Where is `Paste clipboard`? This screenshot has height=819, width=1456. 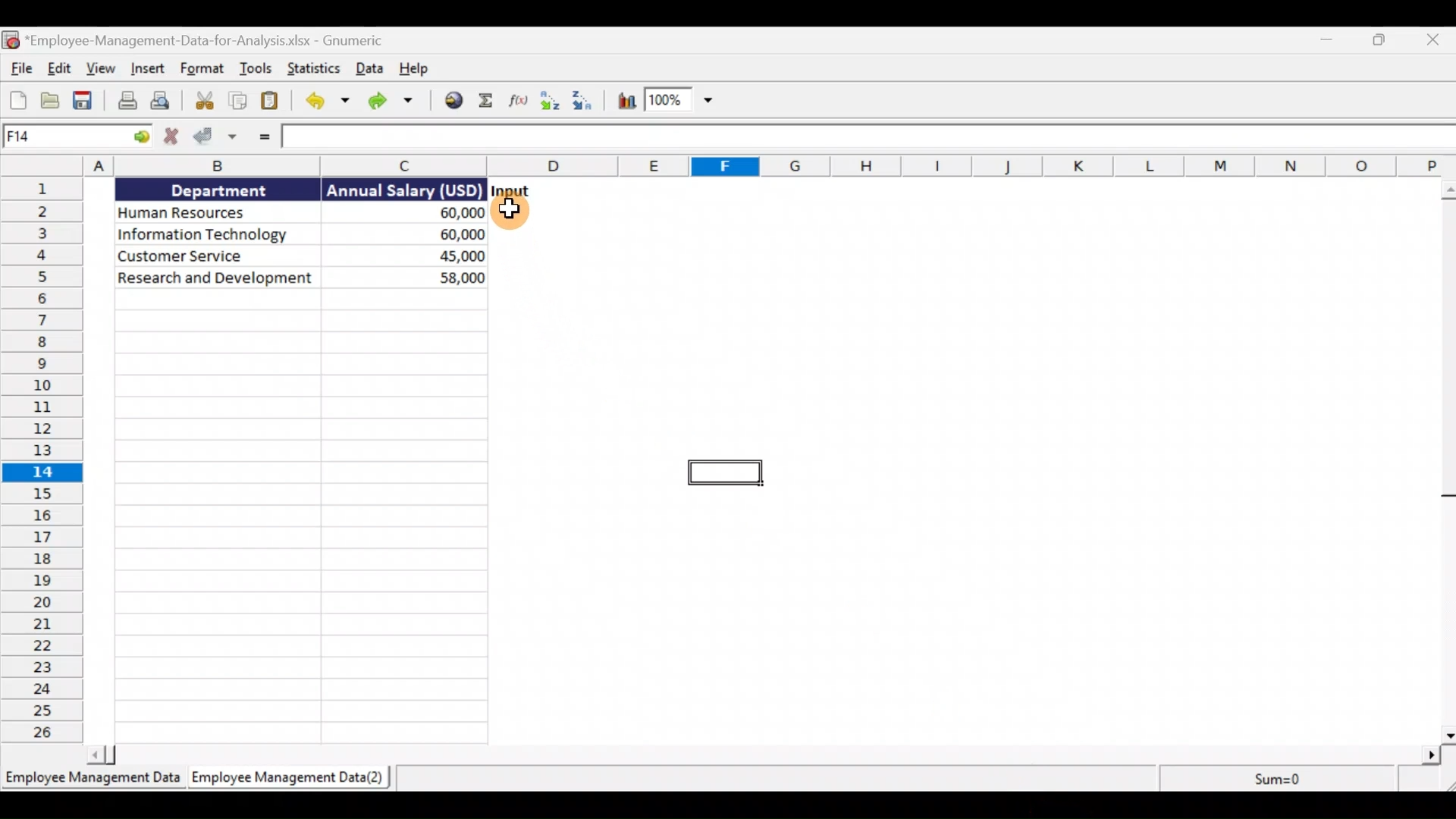
Paste clipboard is located at coordinates (270, 101).